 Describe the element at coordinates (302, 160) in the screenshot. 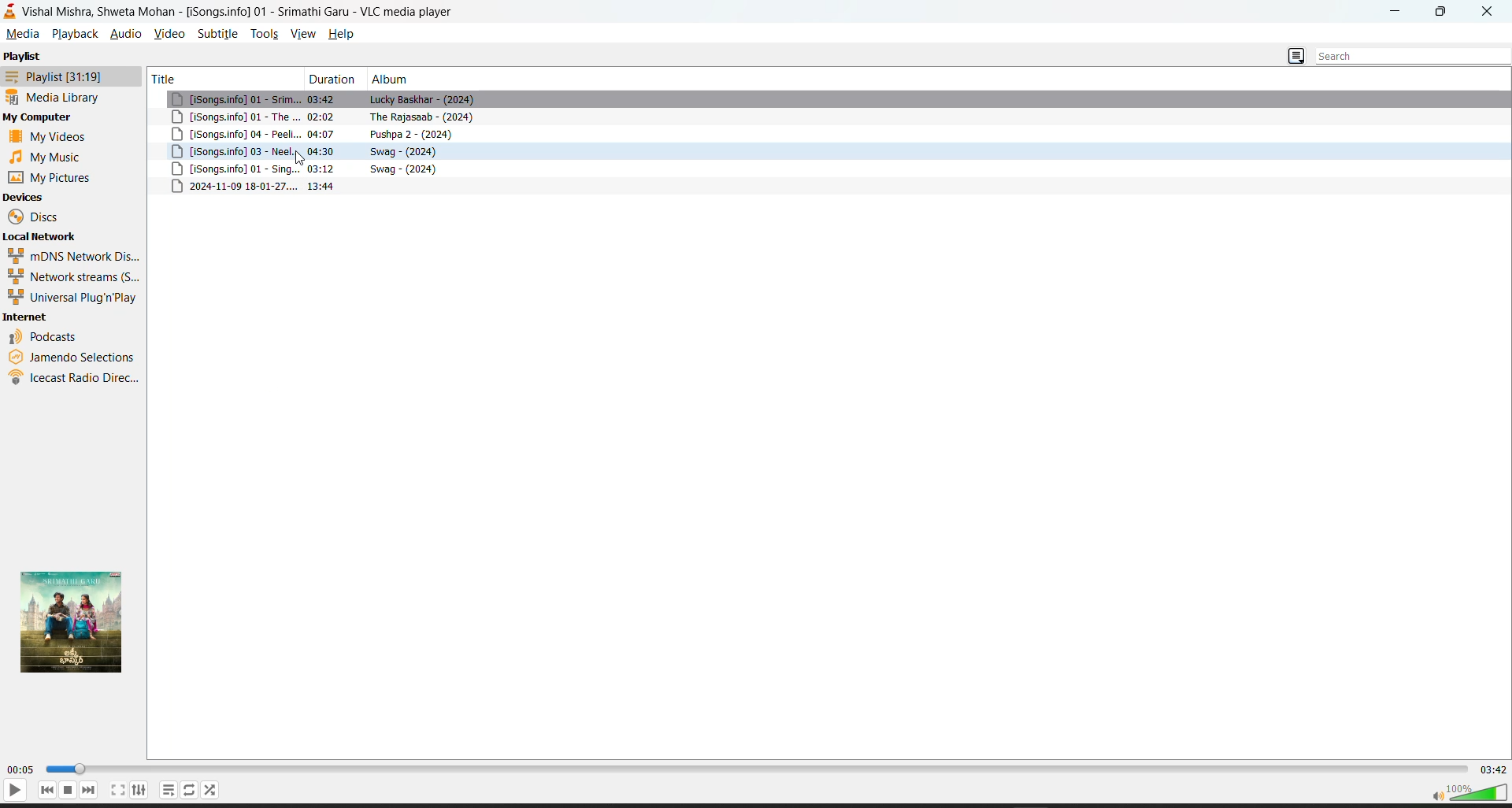

I see `cursor` at that location.